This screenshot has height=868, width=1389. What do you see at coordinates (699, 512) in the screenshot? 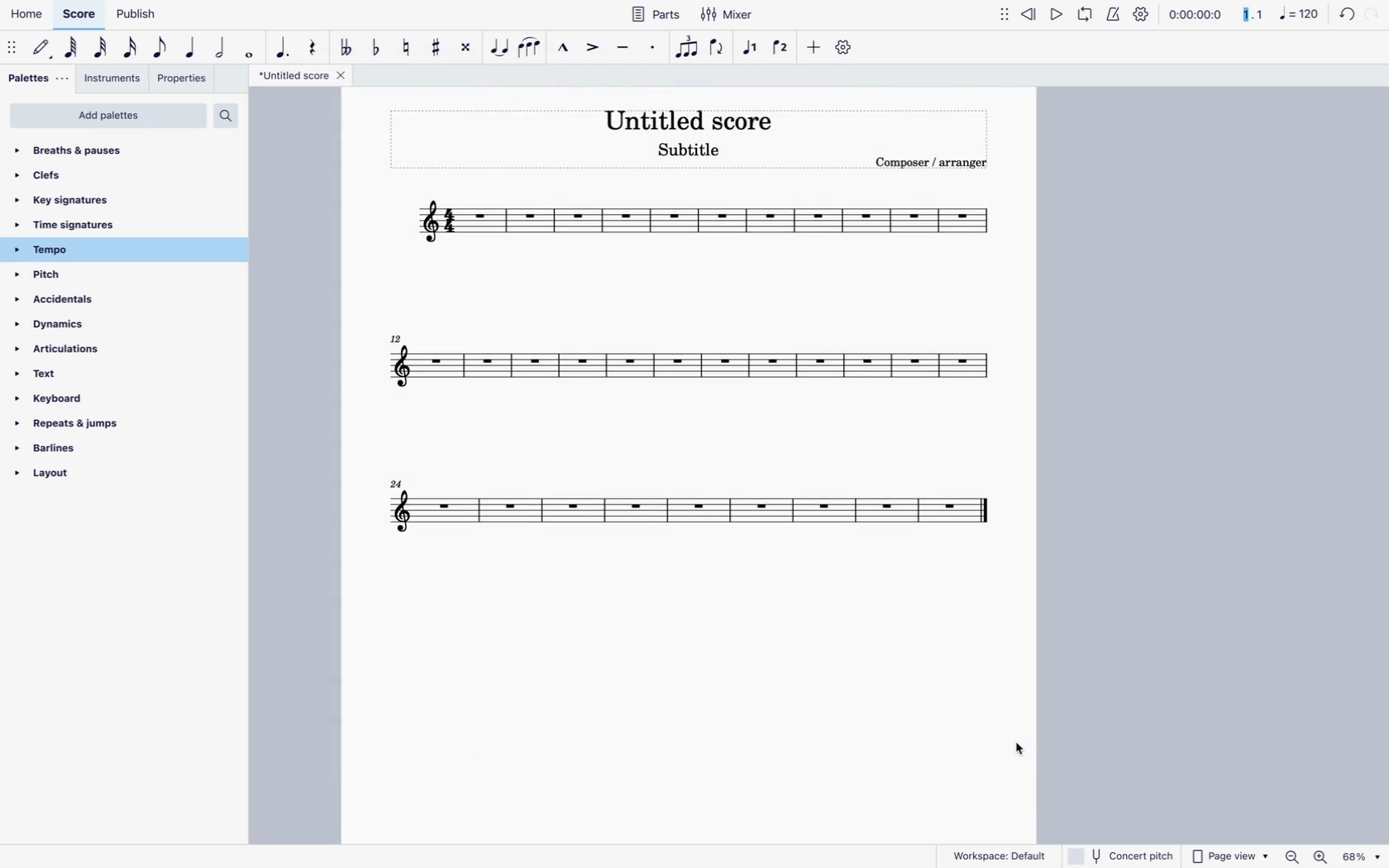
I see `new score` at bounding box center [699, 512].